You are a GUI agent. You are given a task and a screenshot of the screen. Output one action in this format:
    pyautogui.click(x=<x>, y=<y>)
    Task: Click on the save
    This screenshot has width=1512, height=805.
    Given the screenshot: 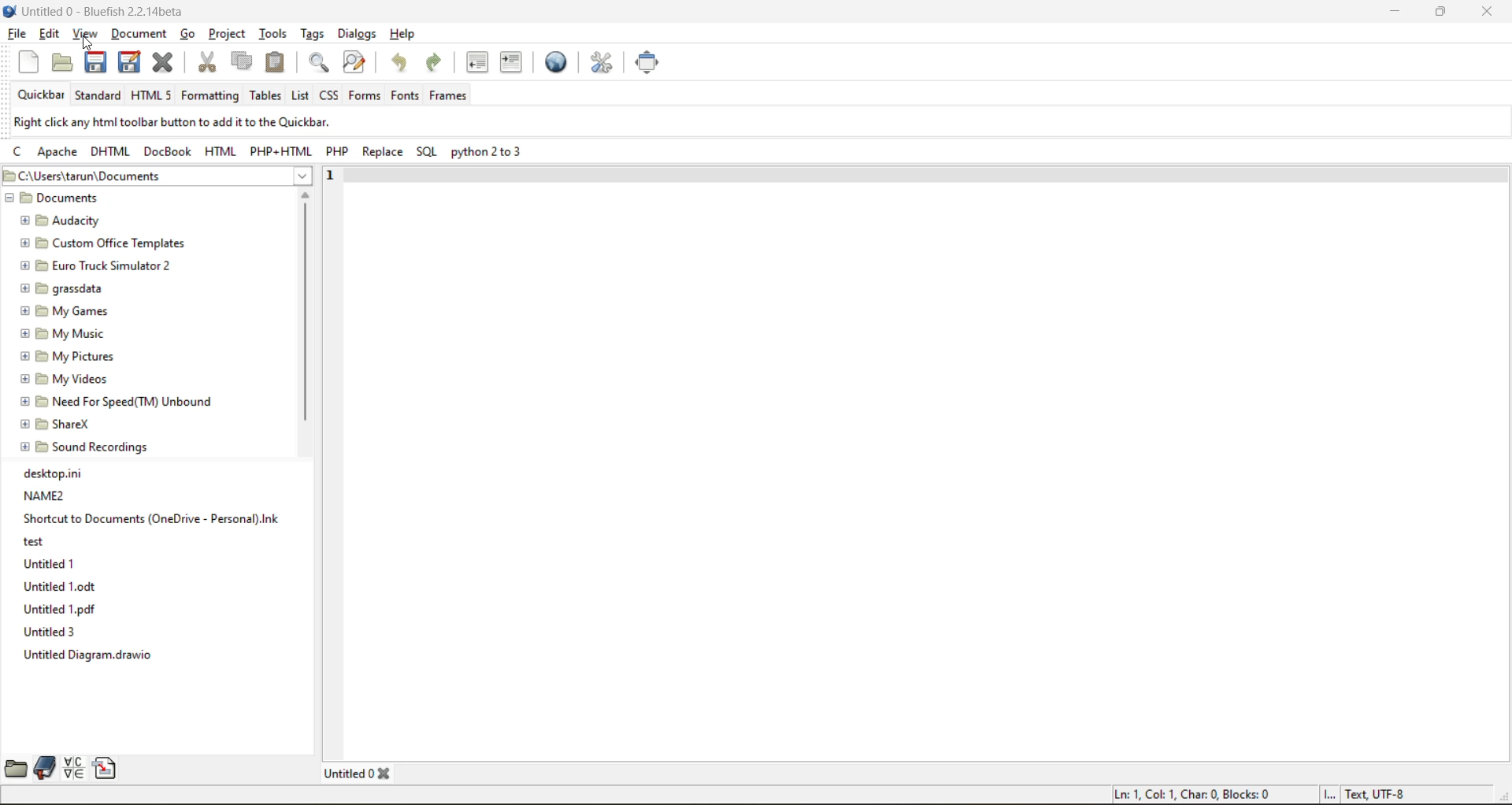 What is the action you would take?
    pyautogui.click(x=97, y=61)
    